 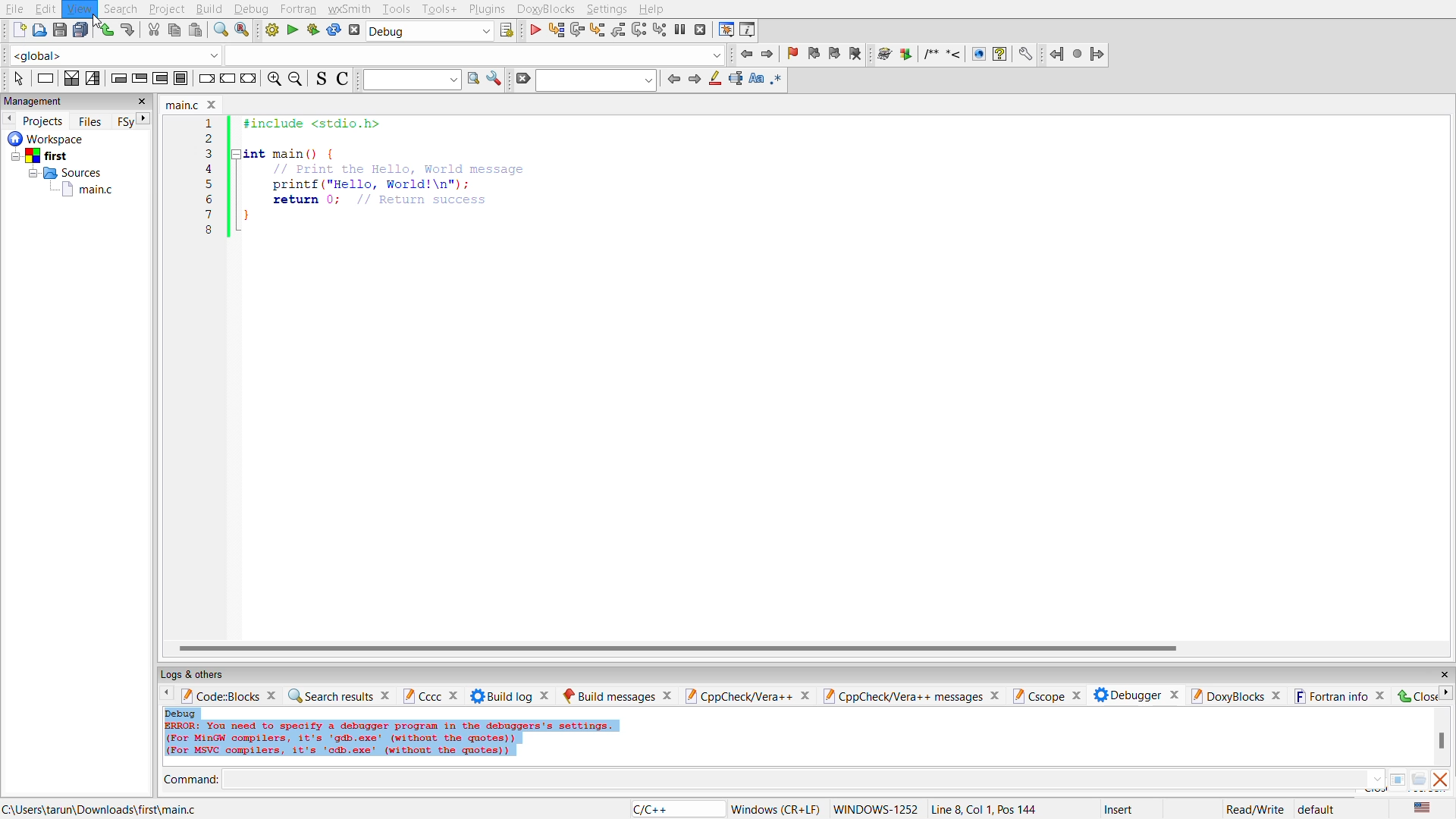 I want to click on logs and others, so click(x=203, y=674).